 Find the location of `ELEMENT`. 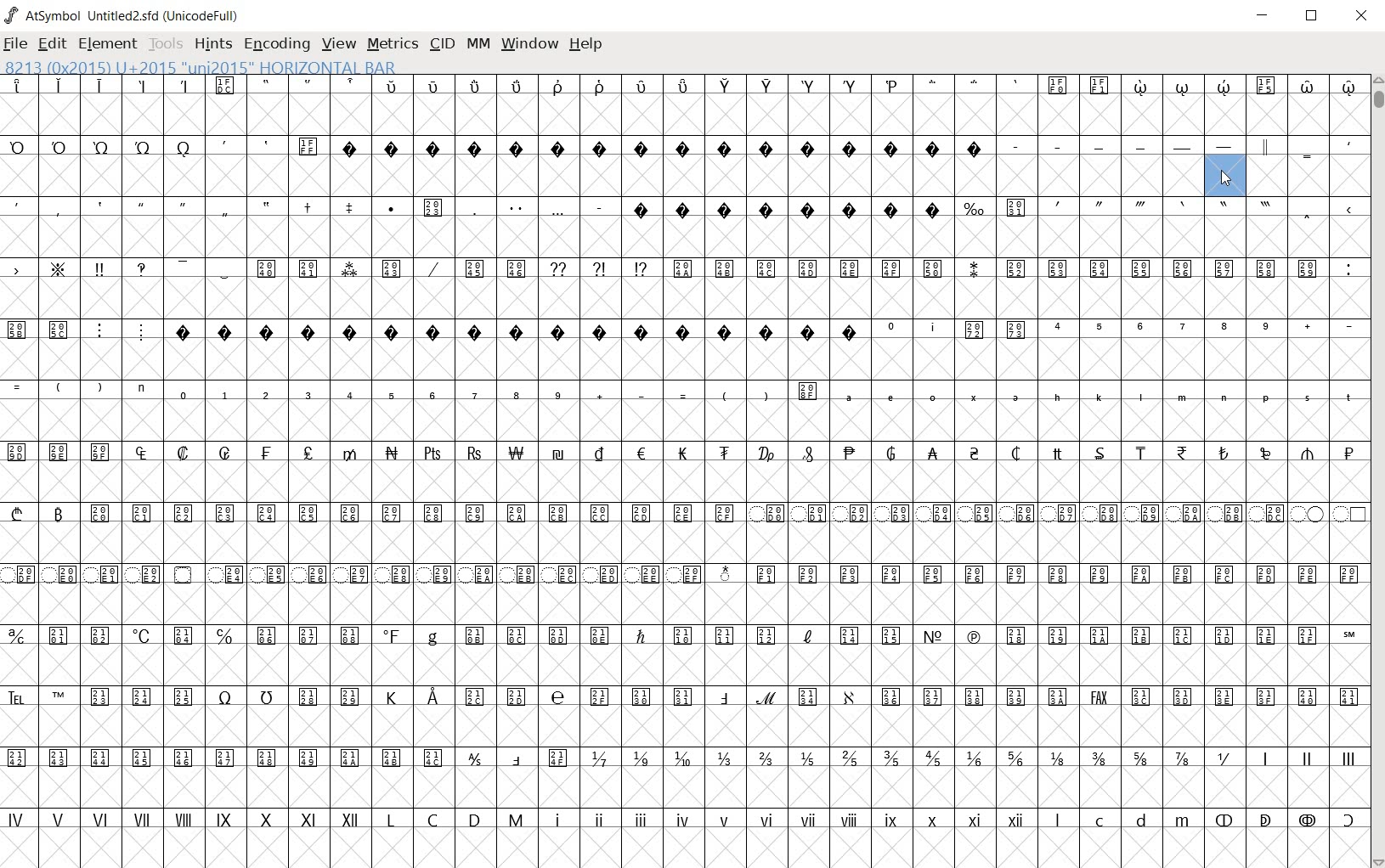

ELEMENT is located at coordinates (109, 43).